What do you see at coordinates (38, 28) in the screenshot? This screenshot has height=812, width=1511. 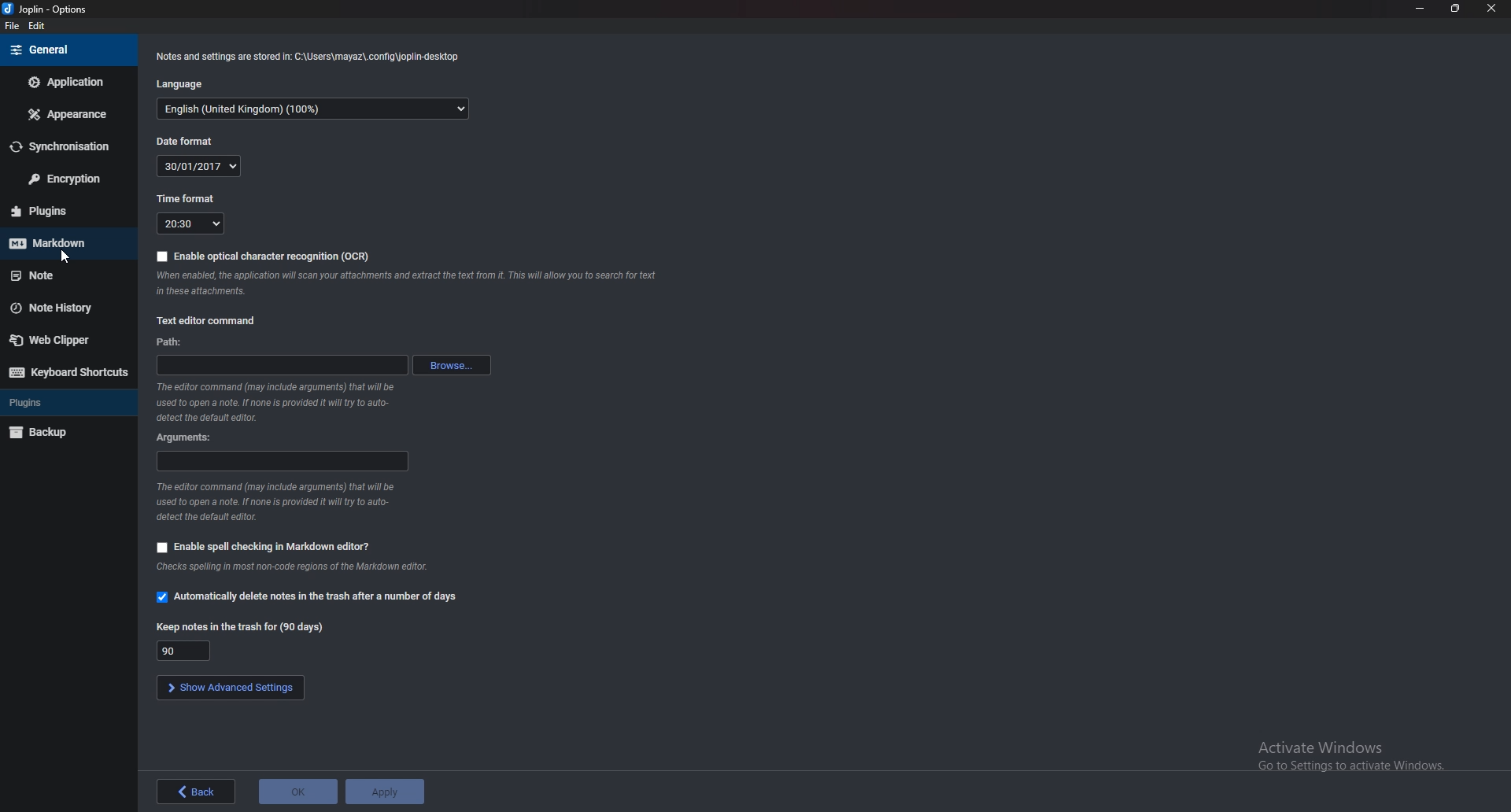 I see `edit` at bounding box center [38, 28].